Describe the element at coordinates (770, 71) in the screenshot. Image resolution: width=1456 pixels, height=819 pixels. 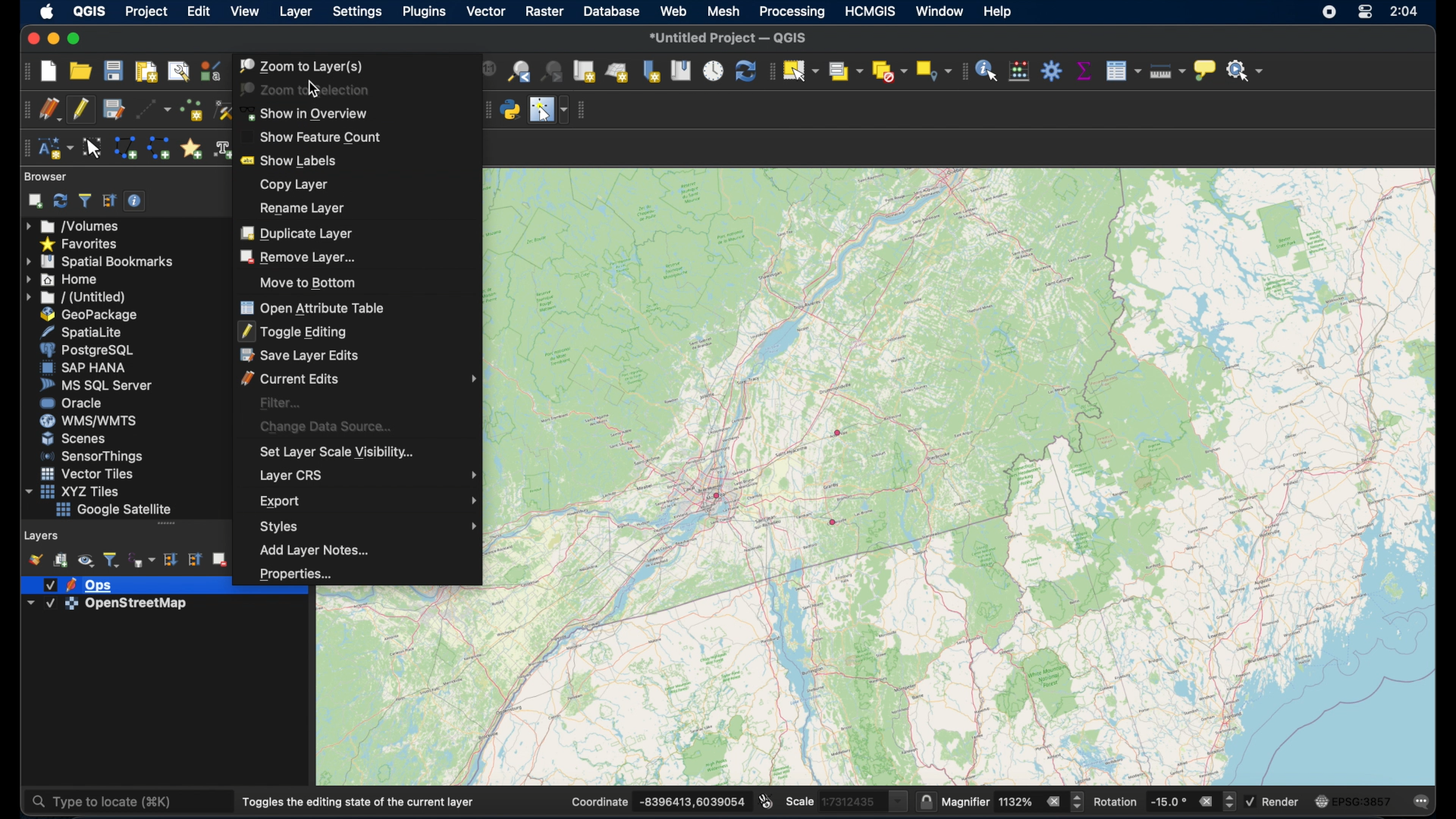
I see `selection toolbar` at that location.